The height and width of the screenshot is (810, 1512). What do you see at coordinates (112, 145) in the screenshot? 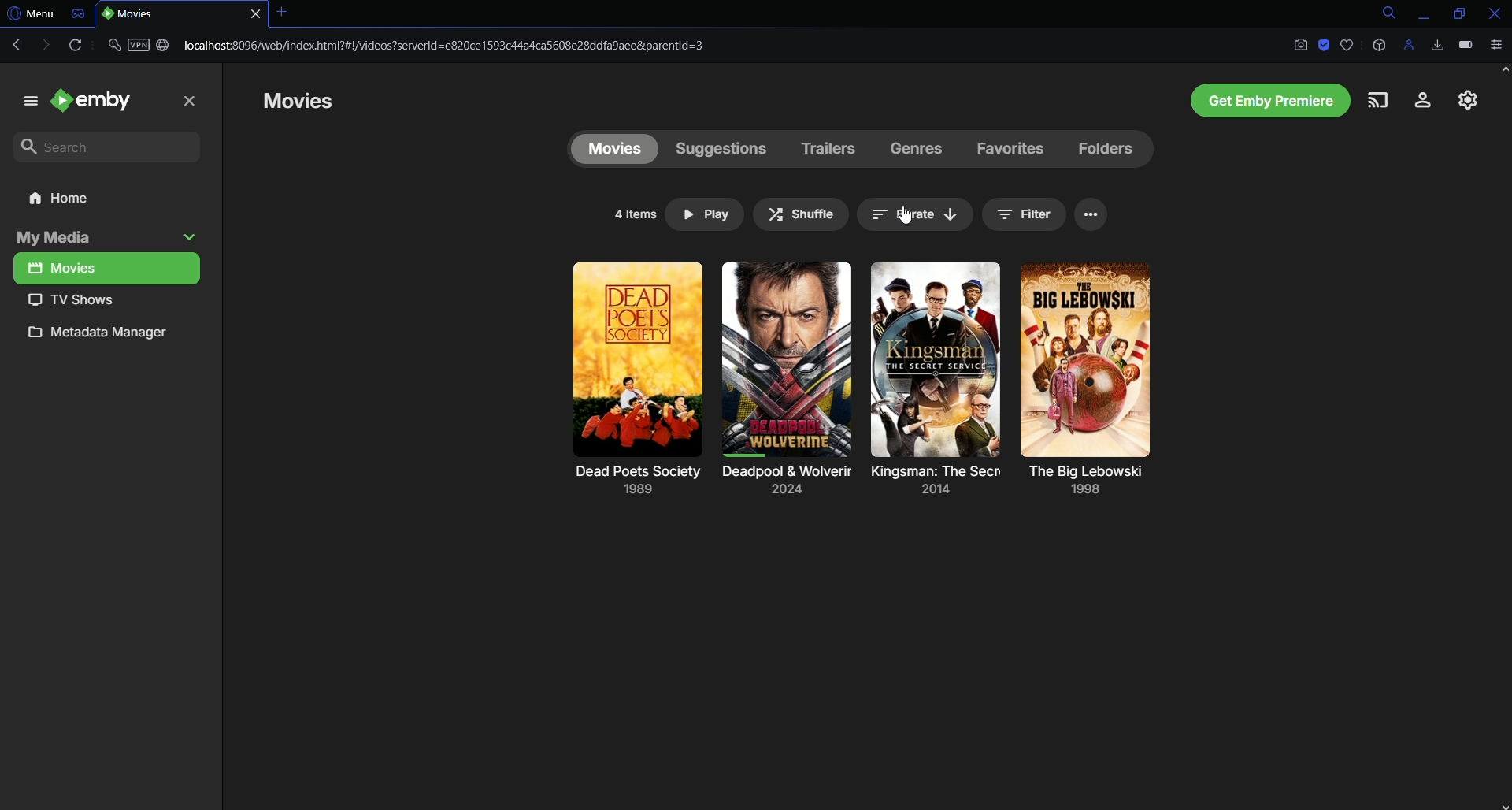
I see `Search` at bounding box center [112, 145].